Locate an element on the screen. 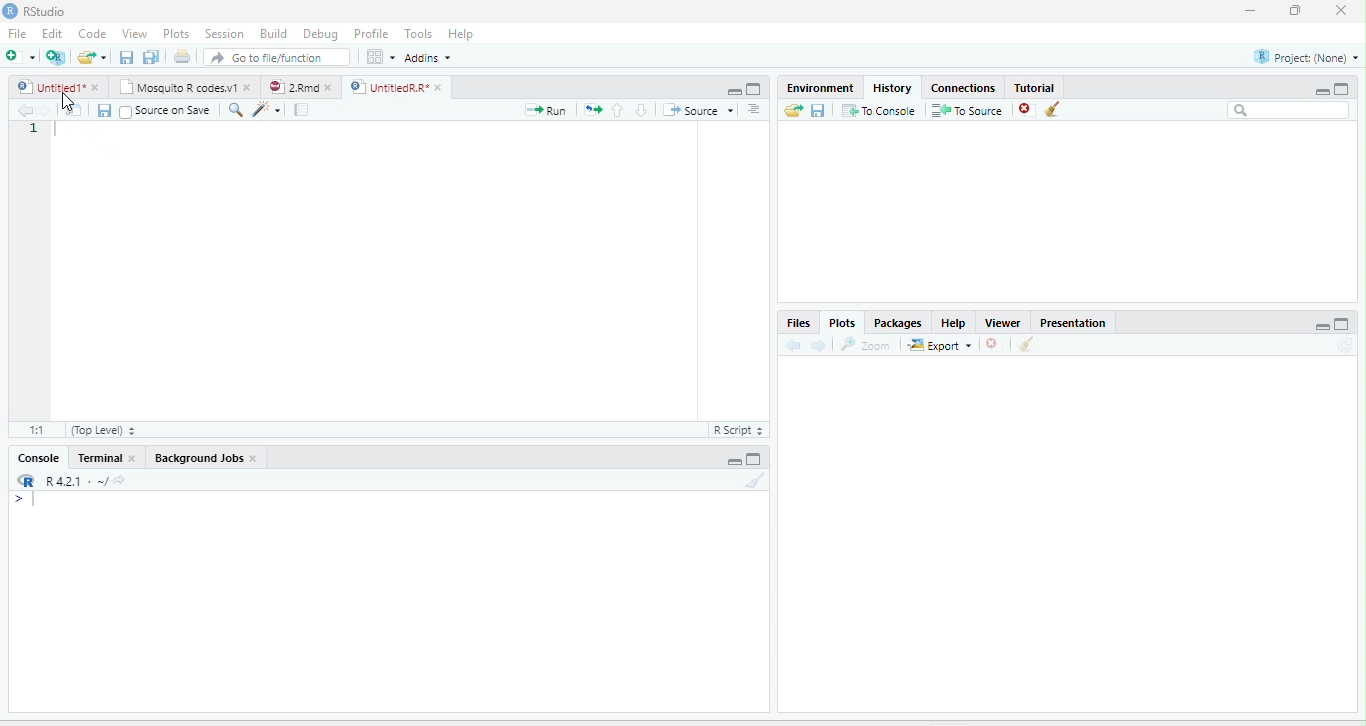 The width and height of the screenshot is (1366, 726). cursor is located at coordinates (69, 101).